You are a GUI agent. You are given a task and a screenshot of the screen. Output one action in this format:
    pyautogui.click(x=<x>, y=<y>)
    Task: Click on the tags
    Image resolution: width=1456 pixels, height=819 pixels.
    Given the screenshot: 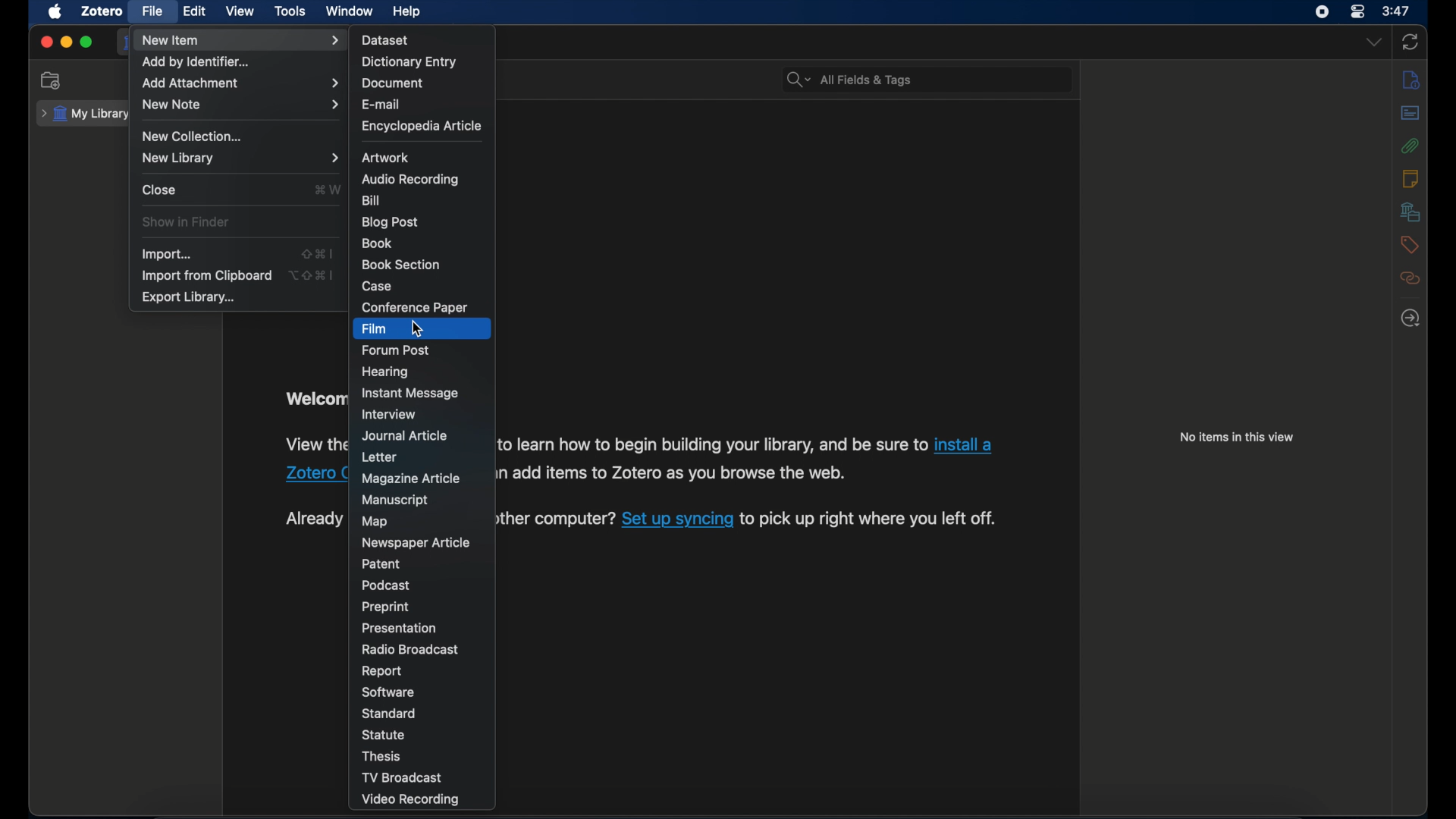 What is the action you would take?
    pyautogui.click(x=1410, y=245)
    